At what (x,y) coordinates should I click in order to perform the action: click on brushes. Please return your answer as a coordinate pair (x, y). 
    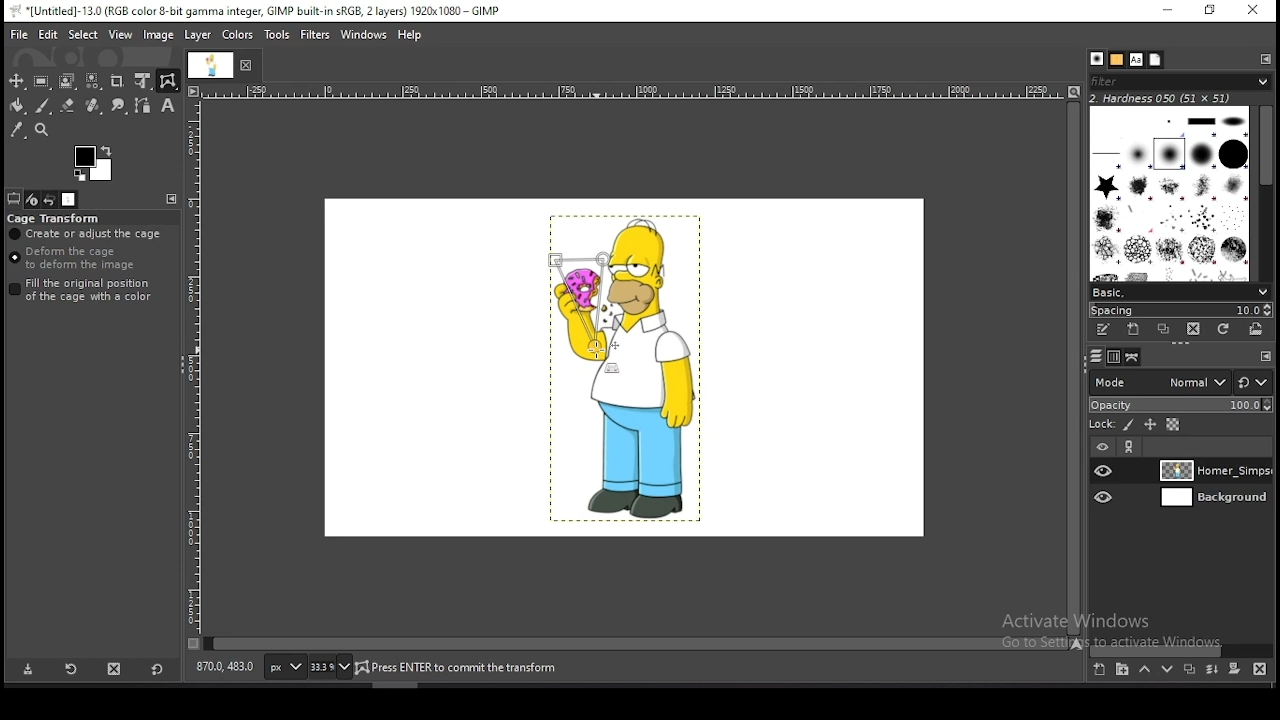
    Looking at the image, I should click on (1171, 192).